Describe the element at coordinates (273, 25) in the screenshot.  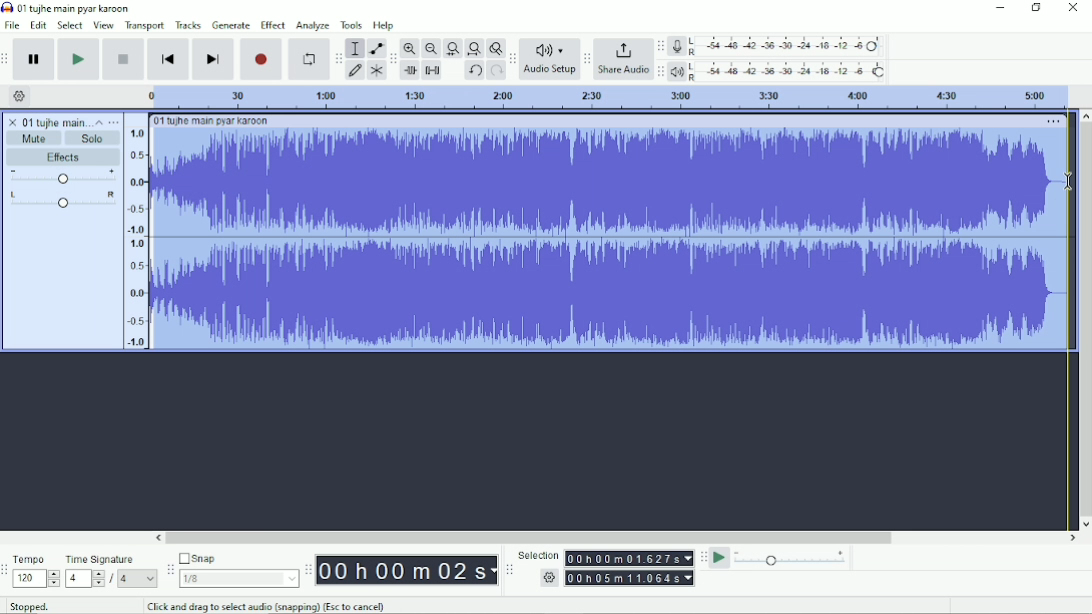
I see `Effect` at that location.